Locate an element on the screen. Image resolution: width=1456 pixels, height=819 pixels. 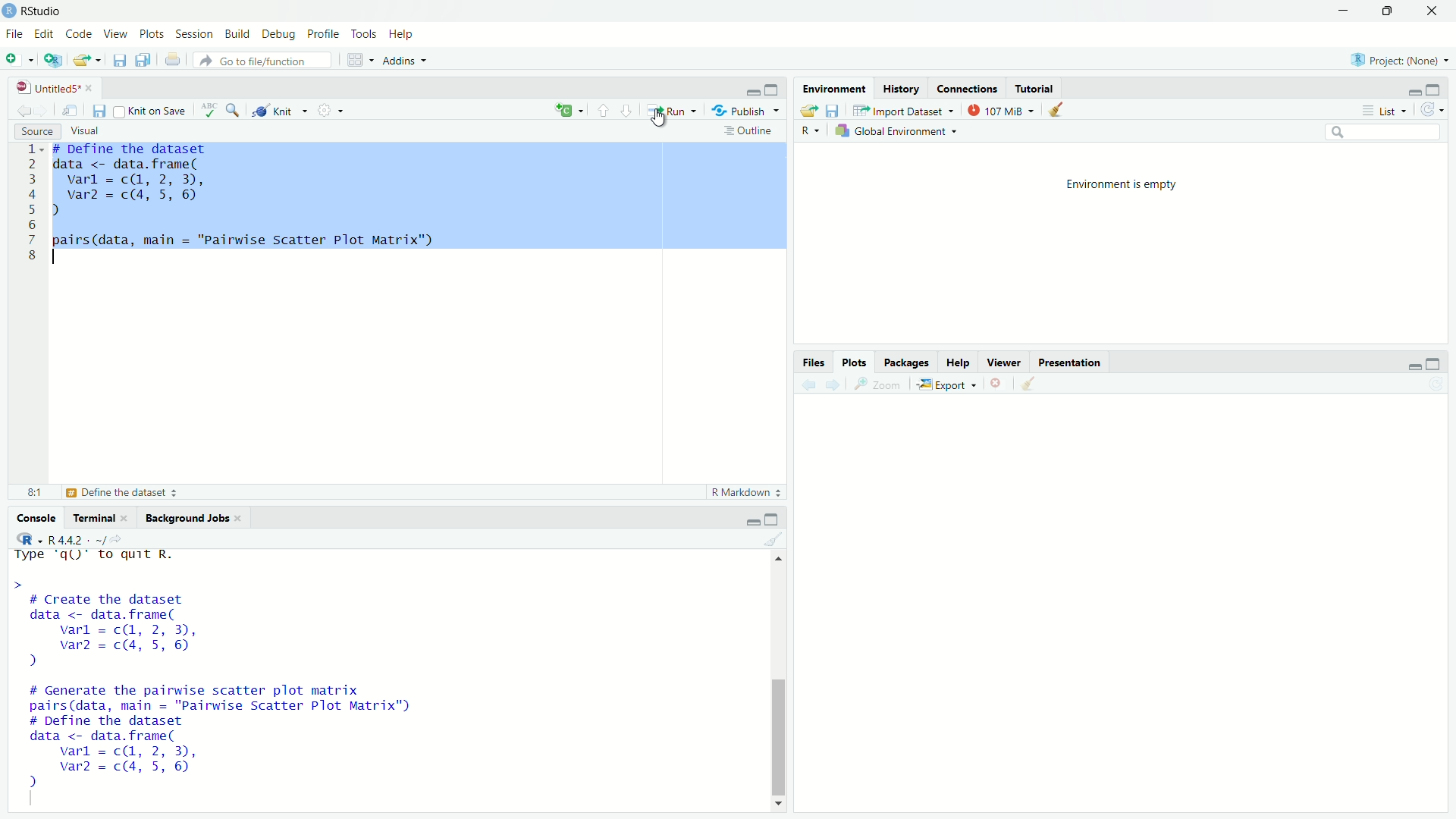
Knit is located at coordinates (280, 111).